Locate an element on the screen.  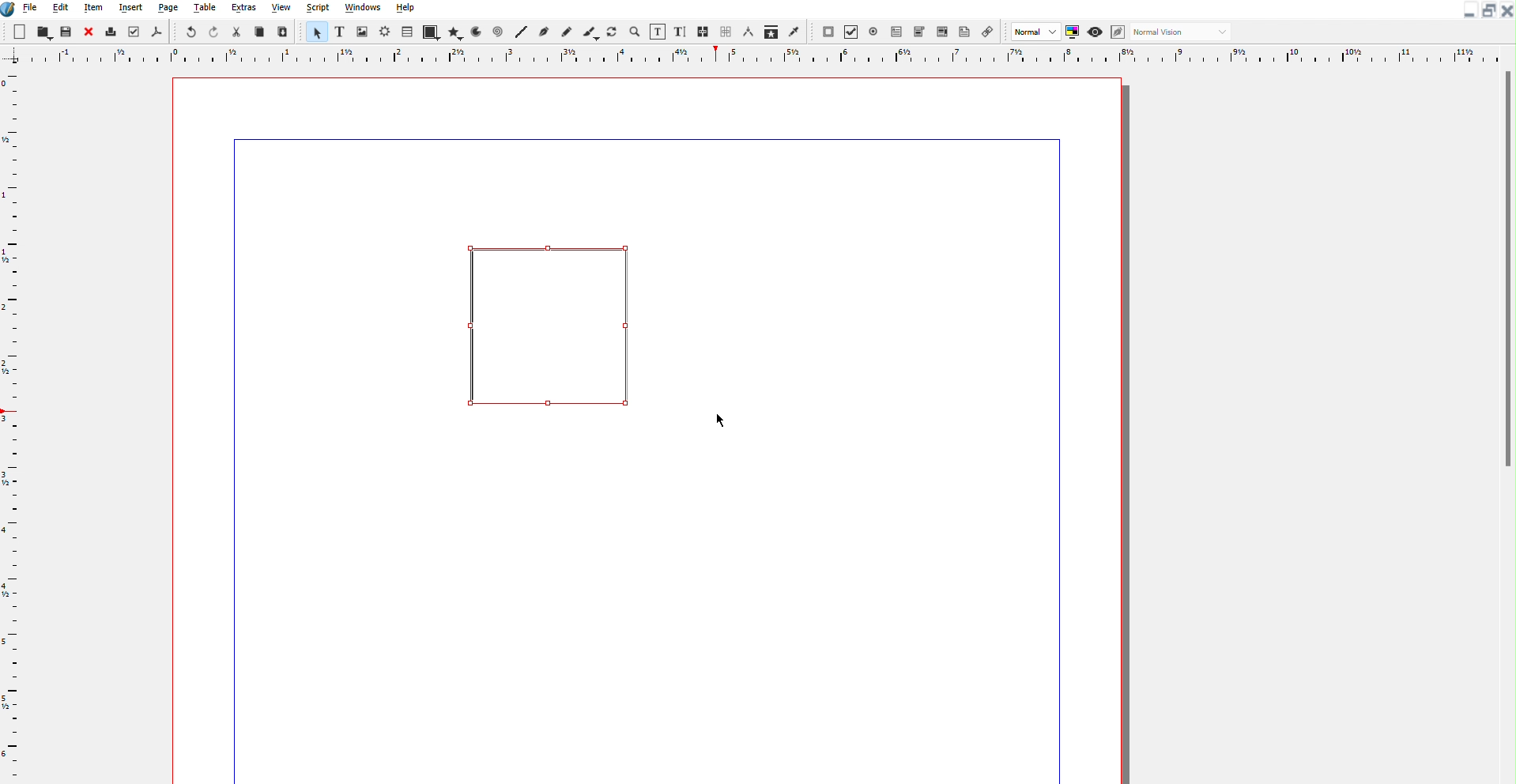
Help is located at coordinates (405, 9).